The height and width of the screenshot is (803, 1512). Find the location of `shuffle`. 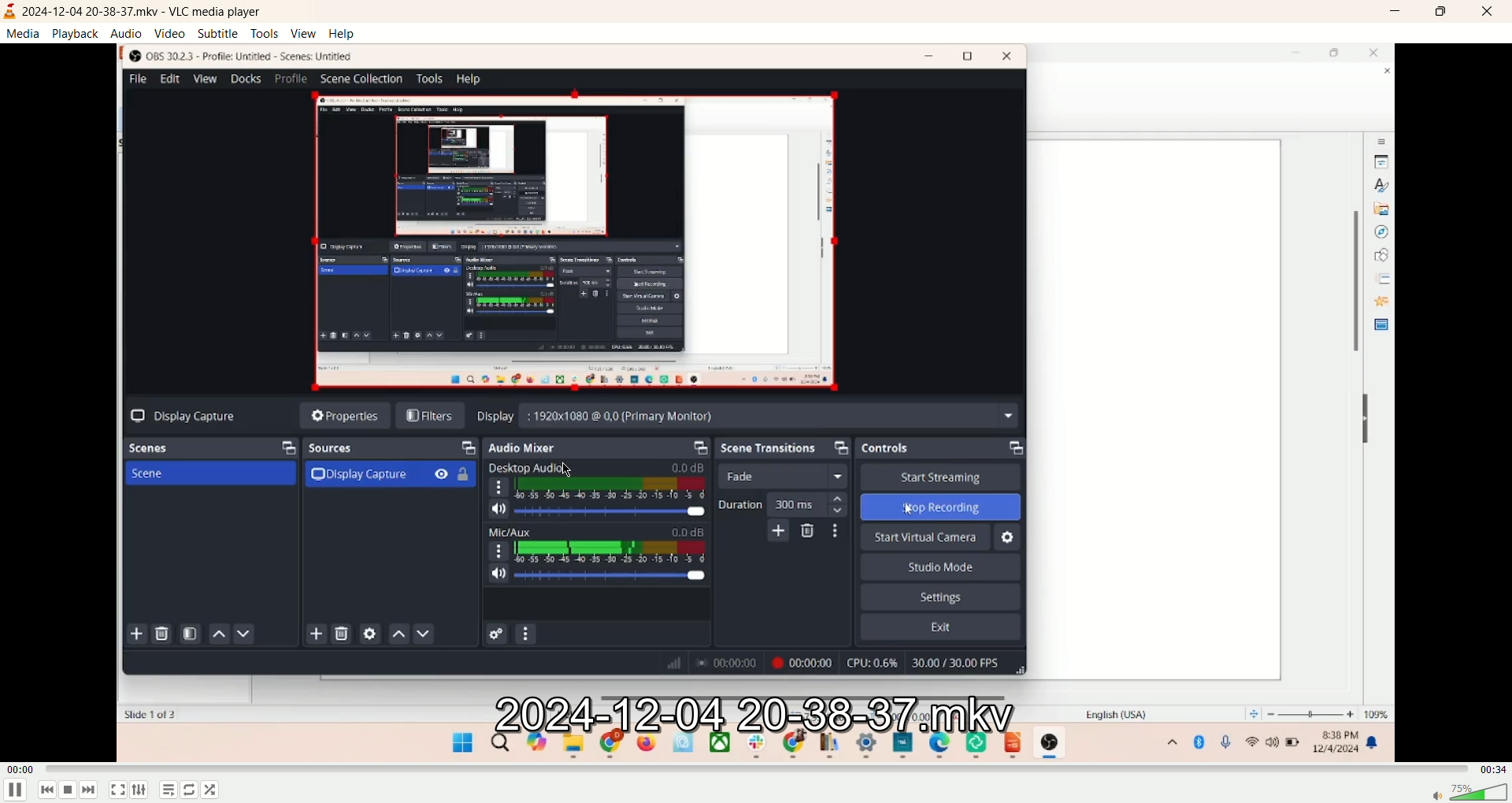

shuffle is located at coordinates (190, 790).